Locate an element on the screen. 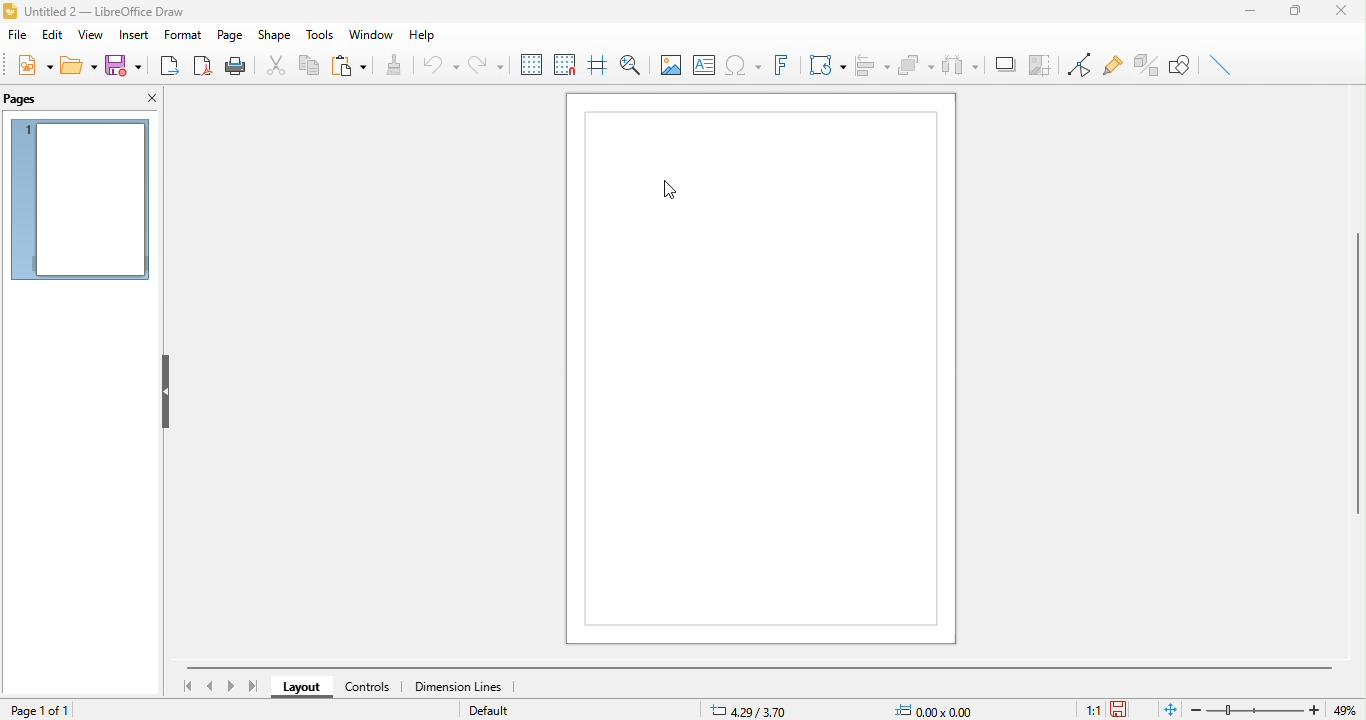 This screenshot has width=1366, height=720. cursor  is located at coordinates (671, 191).